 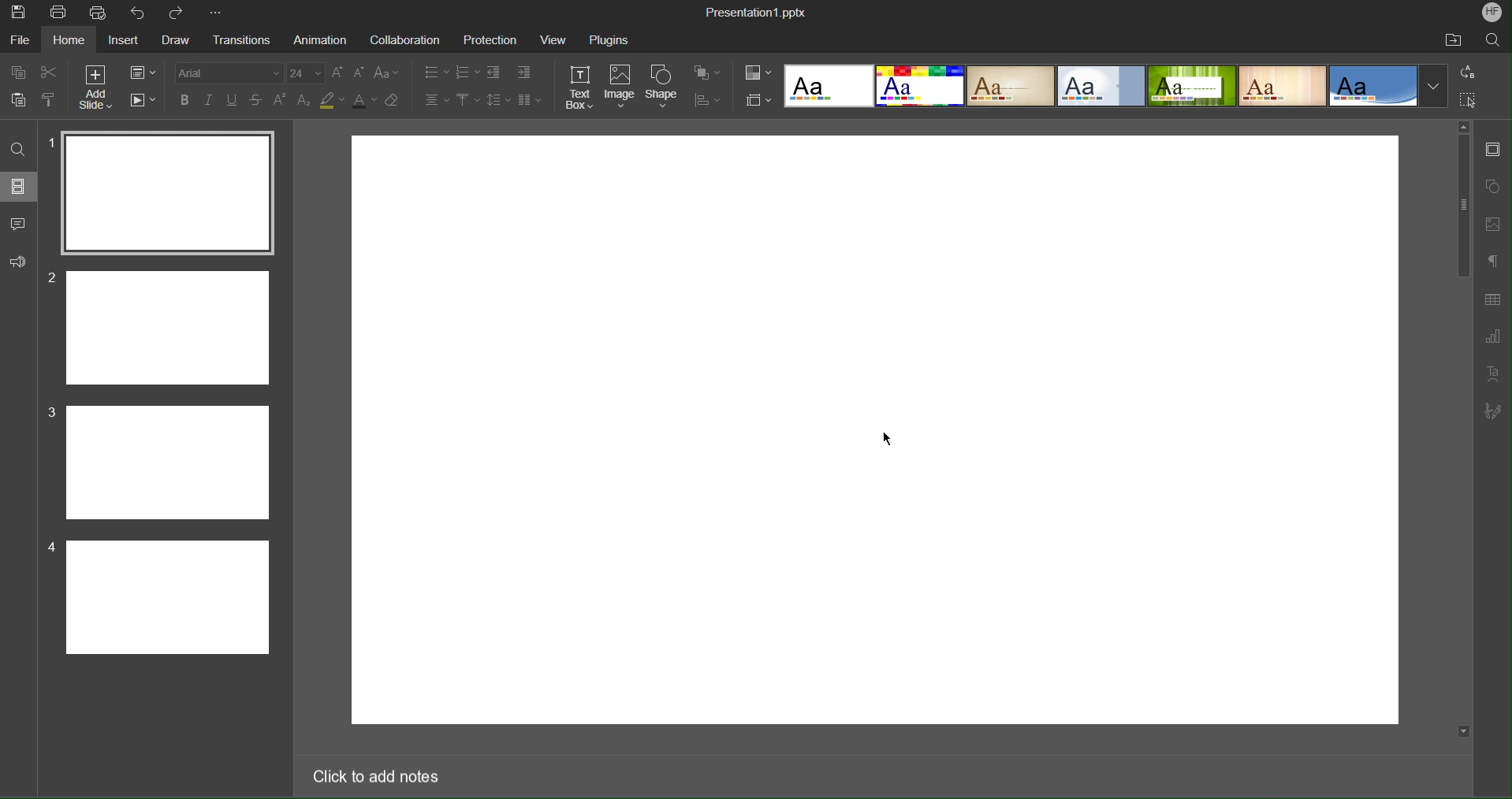 What do you see at coordinates (169, 190) in the screenshot?
I see `Slide 1` at bounding box center [169, 190].